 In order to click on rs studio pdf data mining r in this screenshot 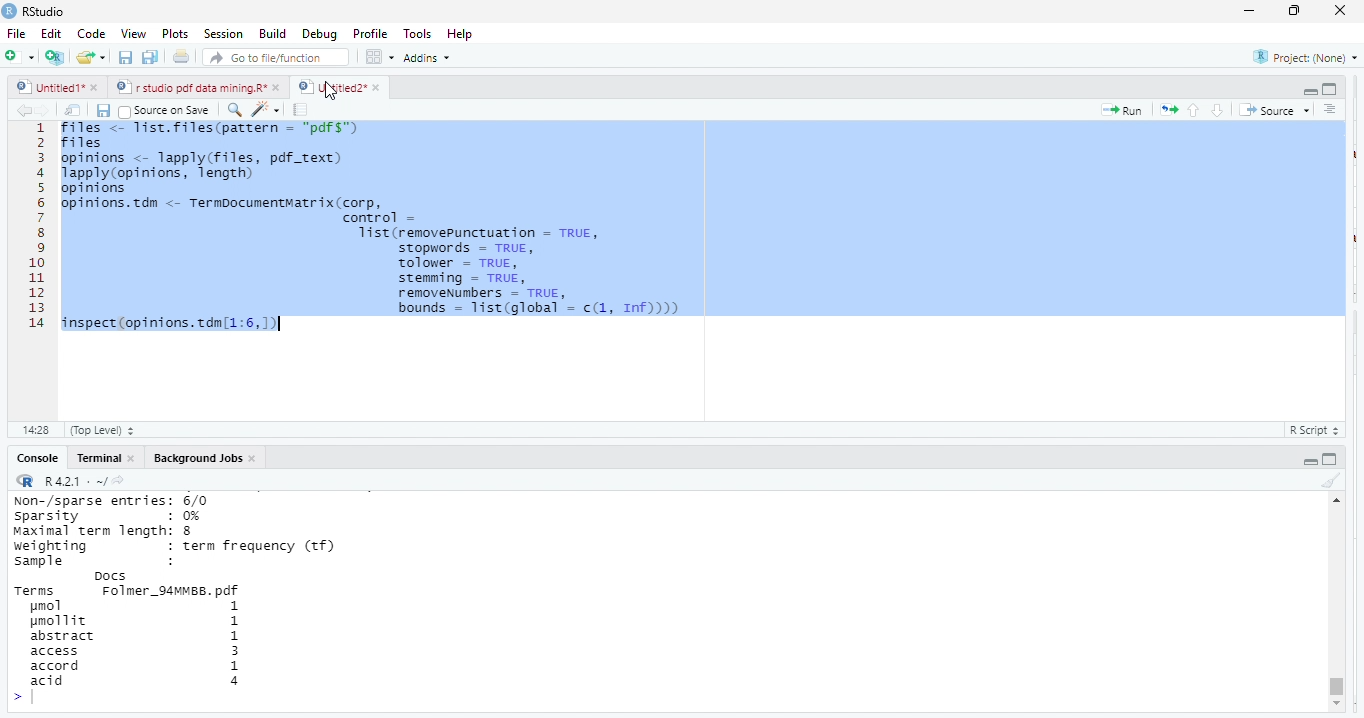, I will do `click(190, 88)`.